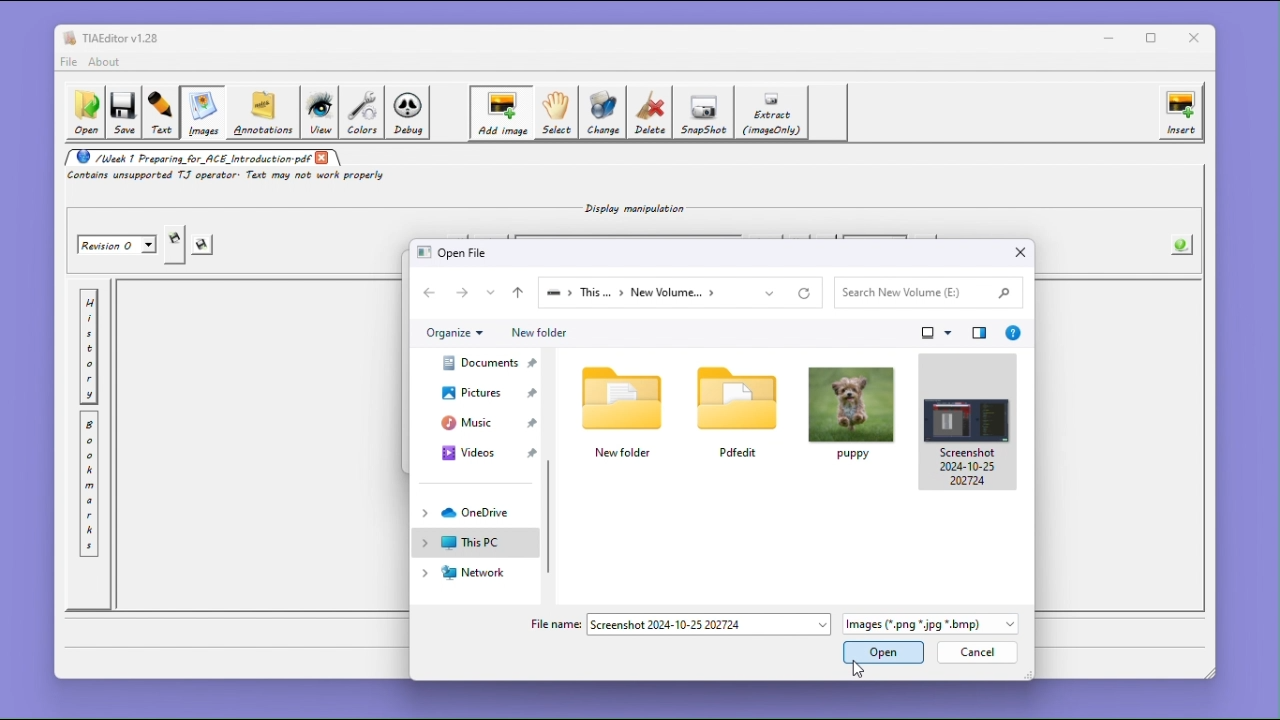 The width and height of the screenshot is (1280, 720). Describe the element at coordinates (362, 112) in the screenshot. I see `colors ` at that location.